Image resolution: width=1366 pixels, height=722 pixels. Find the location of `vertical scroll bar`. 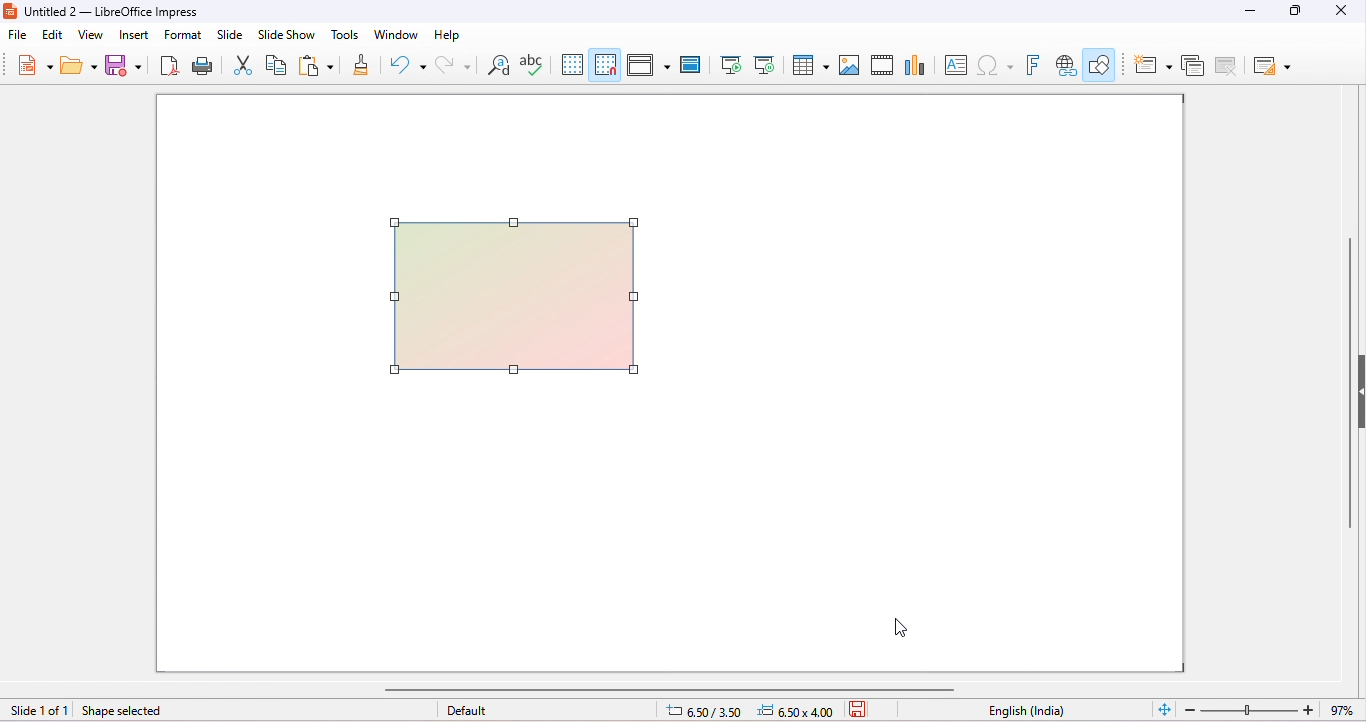

vertical scroll bar is located at coordinates (1347, 398).